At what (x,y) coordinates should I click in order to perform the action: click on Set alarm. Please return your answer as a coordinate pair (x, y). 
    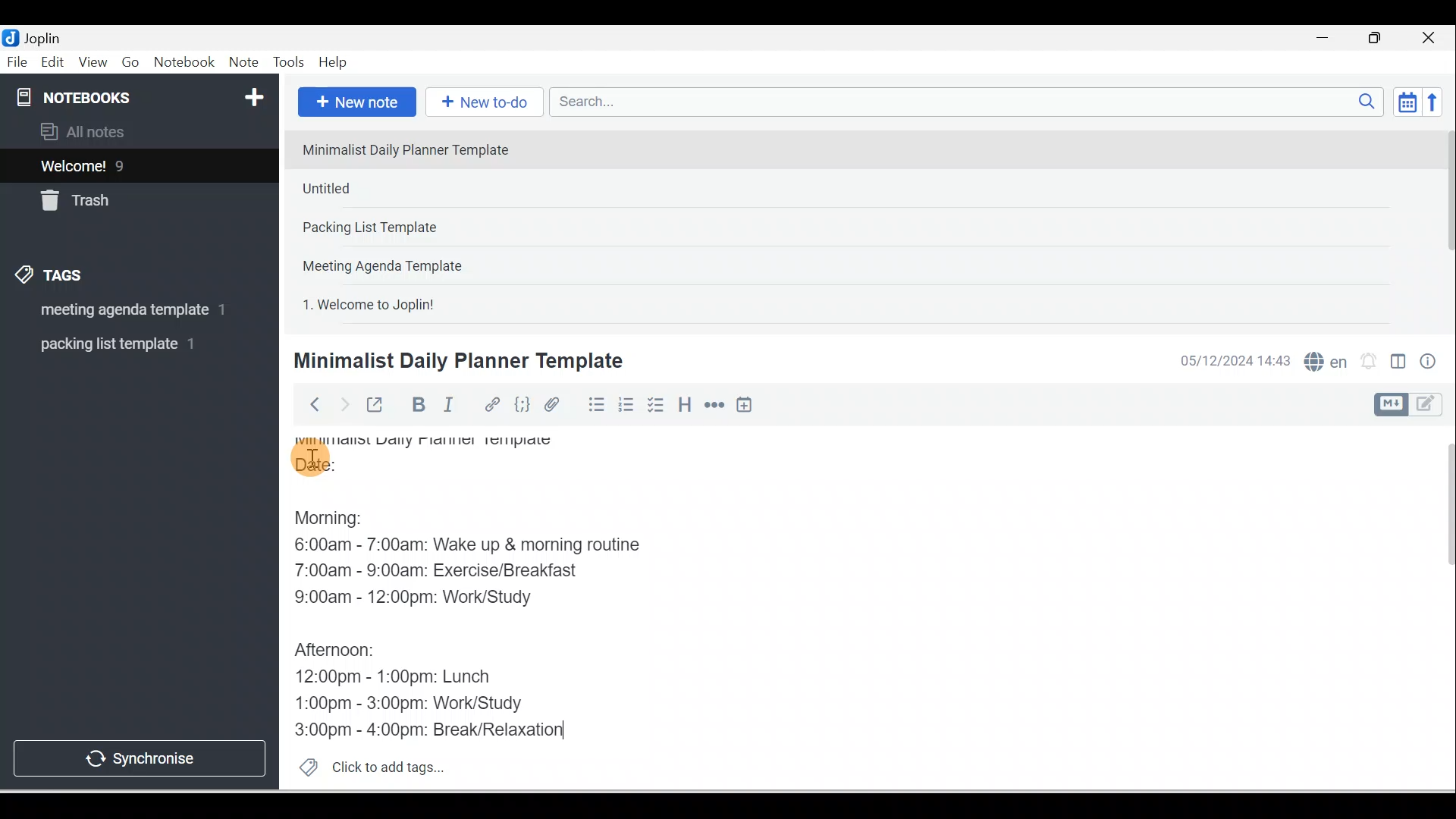
    Looking at the image, I should click on (1367, 362).